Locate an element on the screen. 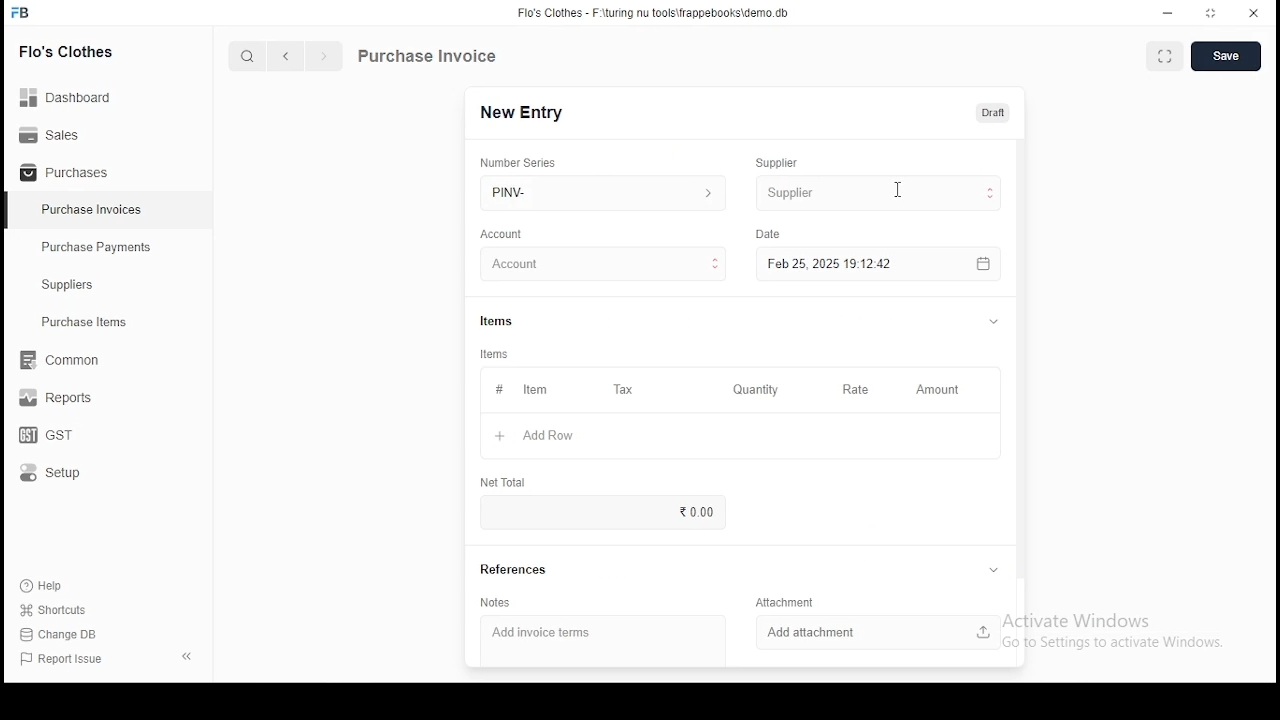 The height and width of the screenshot is (720, 1280). setup is located at coordinates (63, 474).